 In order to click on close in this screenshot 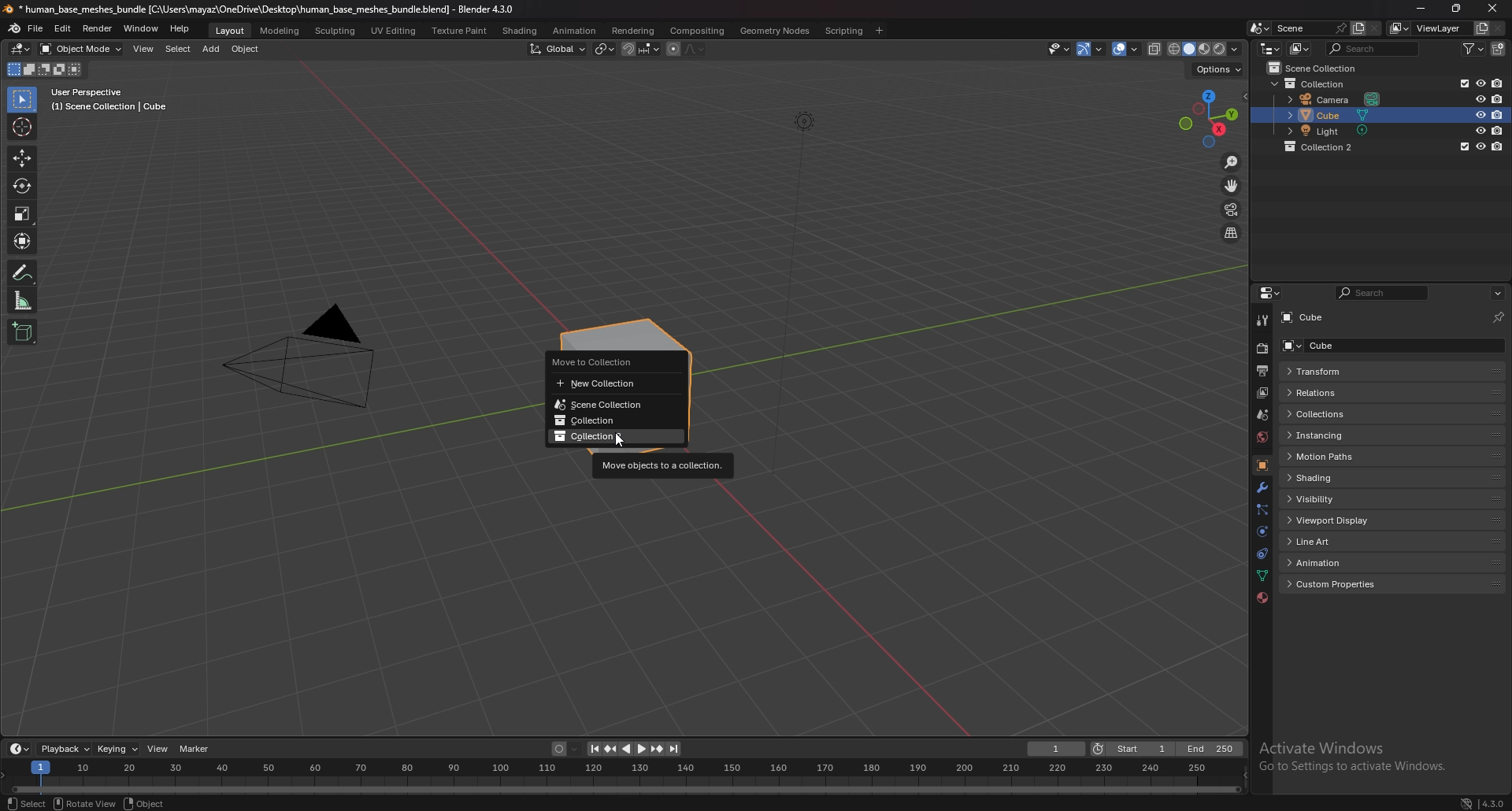, I will do `click(1491, 8)`.